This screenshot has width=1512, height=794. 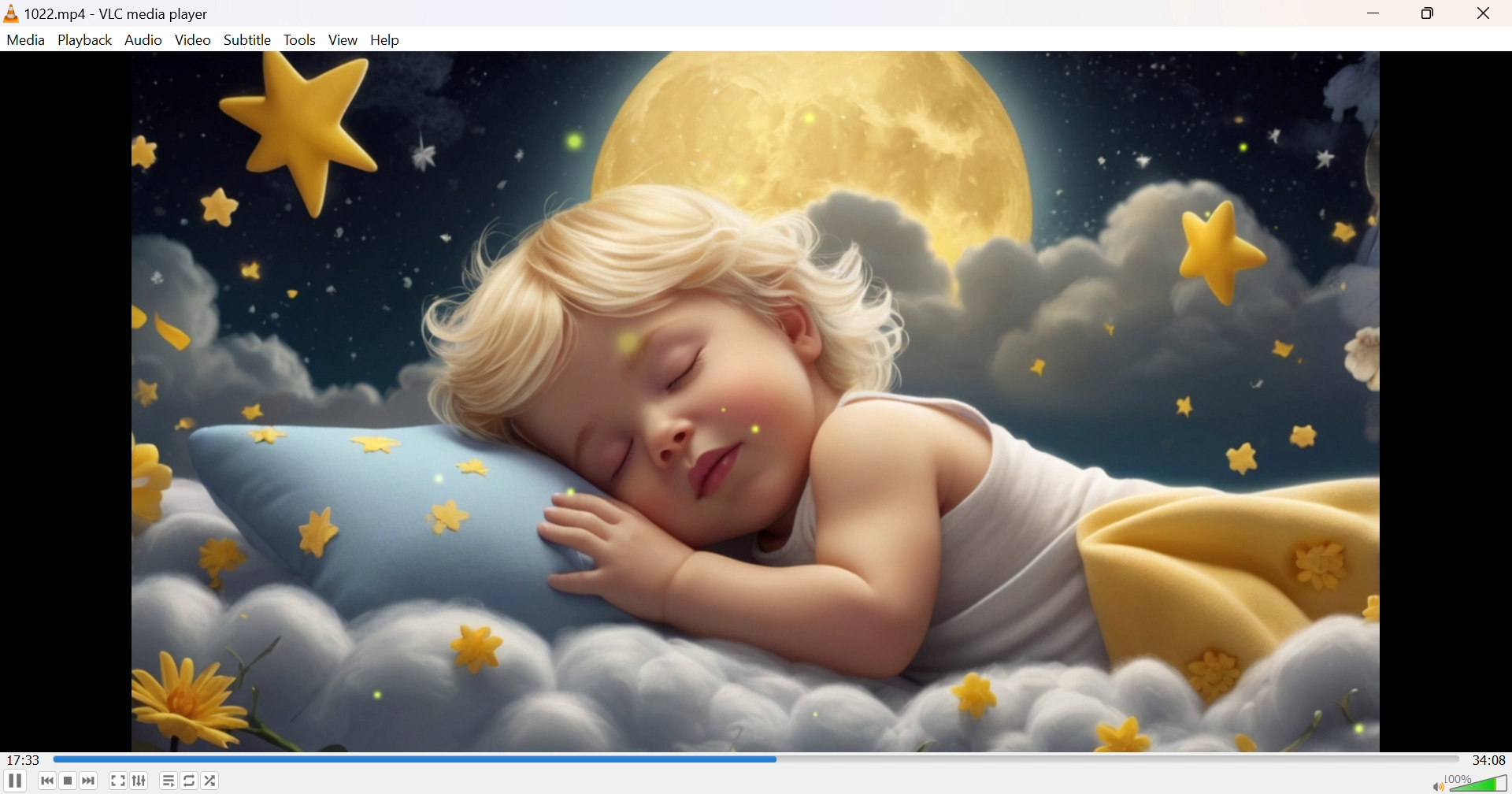 I want to click on View, so click(x=344, y=39).